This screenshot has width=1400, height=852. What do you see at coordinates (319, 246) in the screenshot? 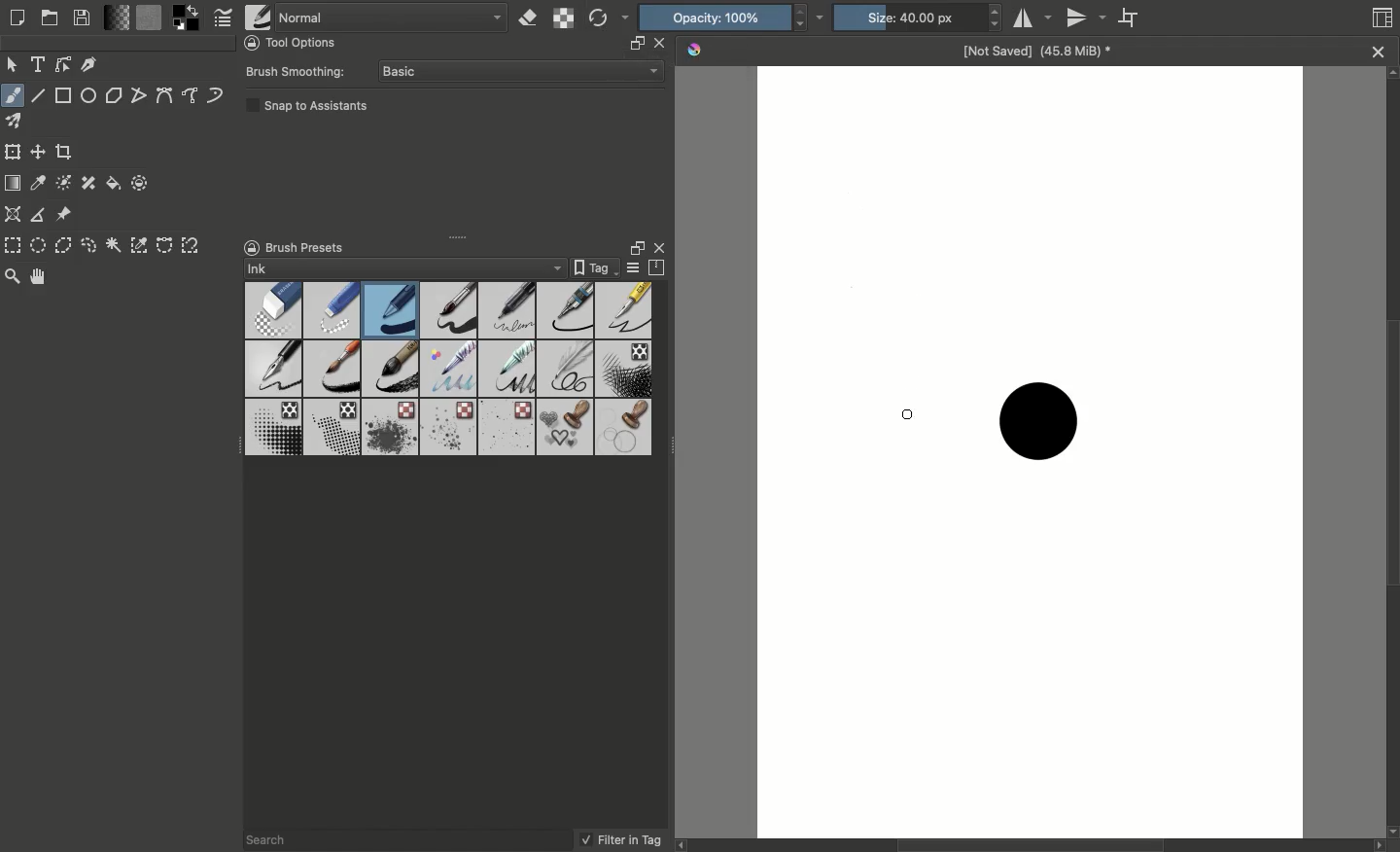
I see `Brush presets` at bounding box center [319, 246].